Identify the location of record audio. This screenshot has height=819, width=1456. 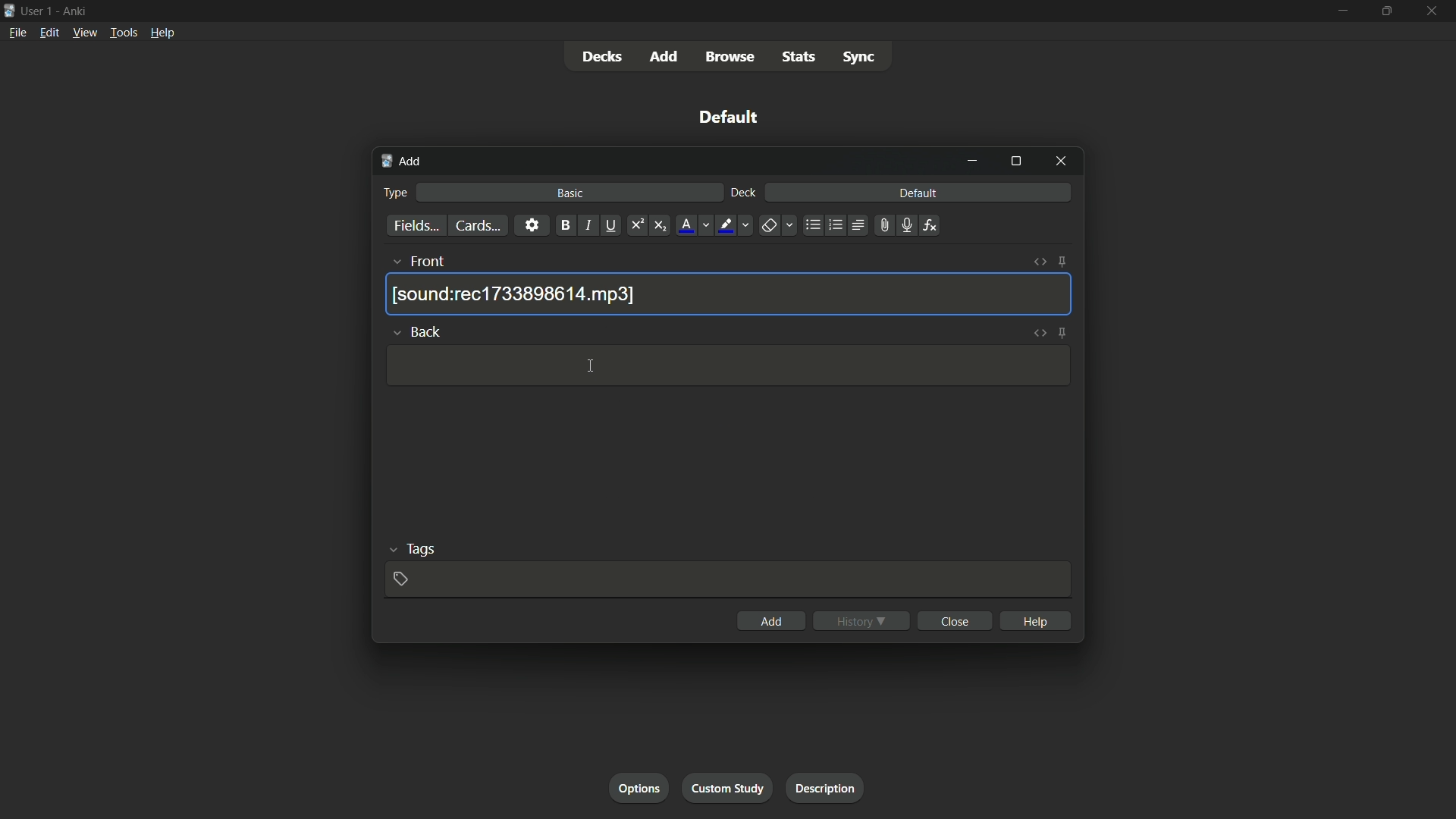
(903, 226).